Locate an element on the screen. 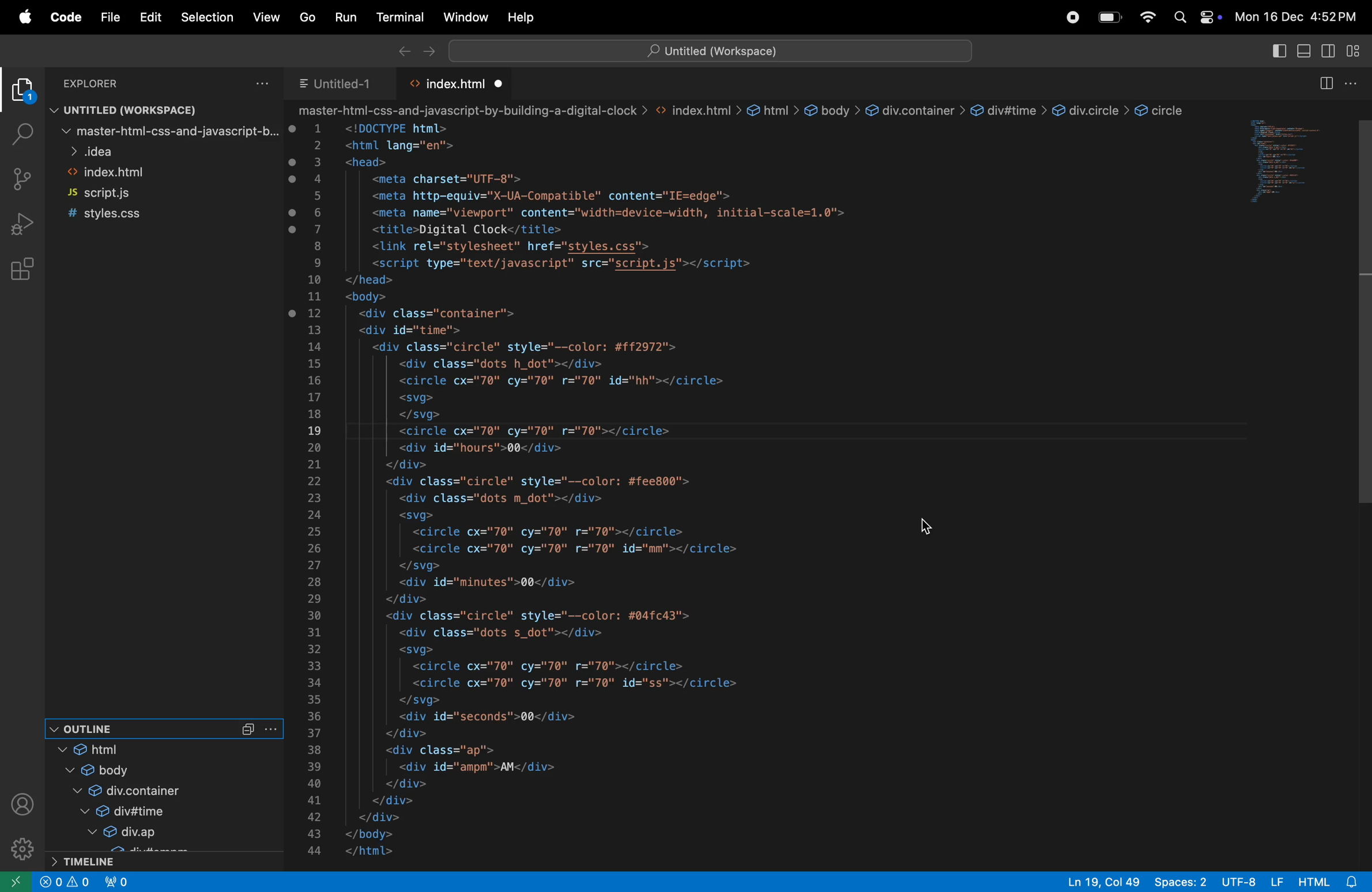 The width and height of the screenshot is (1372, 892). utf 8 is located at coordinates (1250, 882).